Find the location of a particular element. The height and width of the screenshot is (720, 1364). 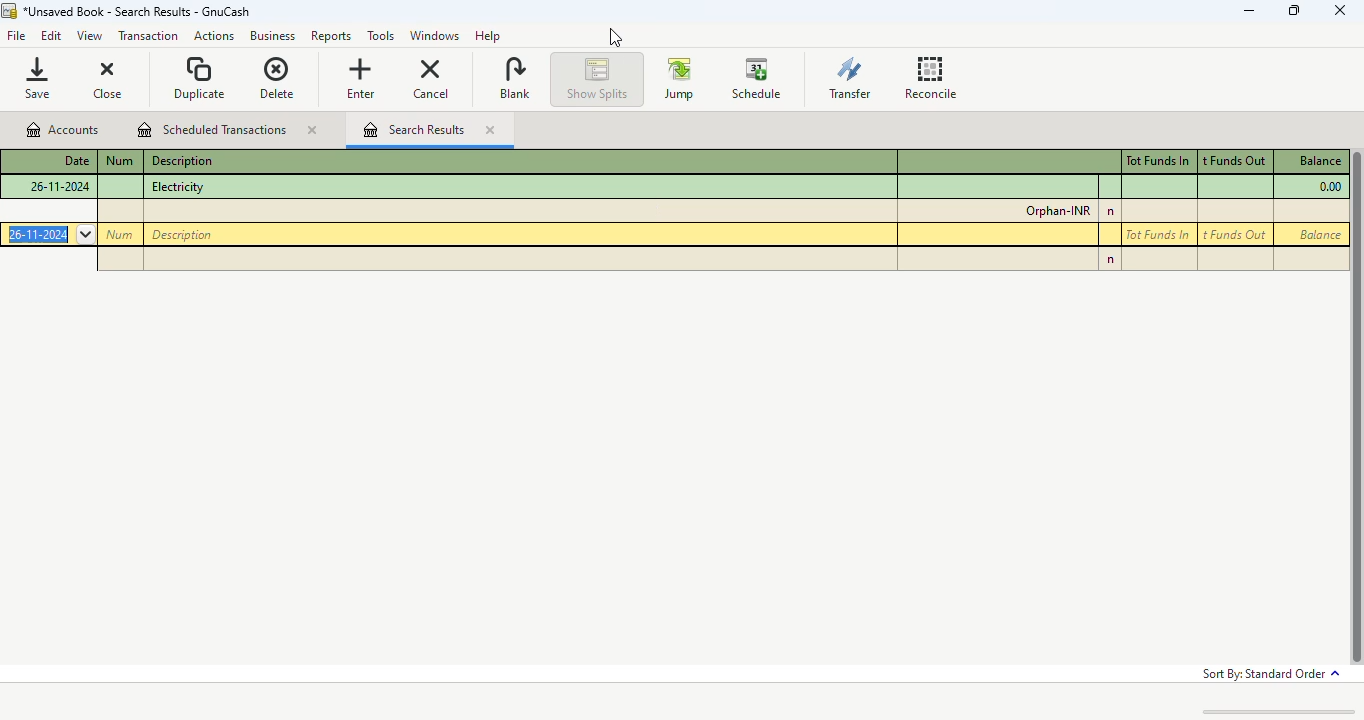

n is located at coordinates (1108, 260).